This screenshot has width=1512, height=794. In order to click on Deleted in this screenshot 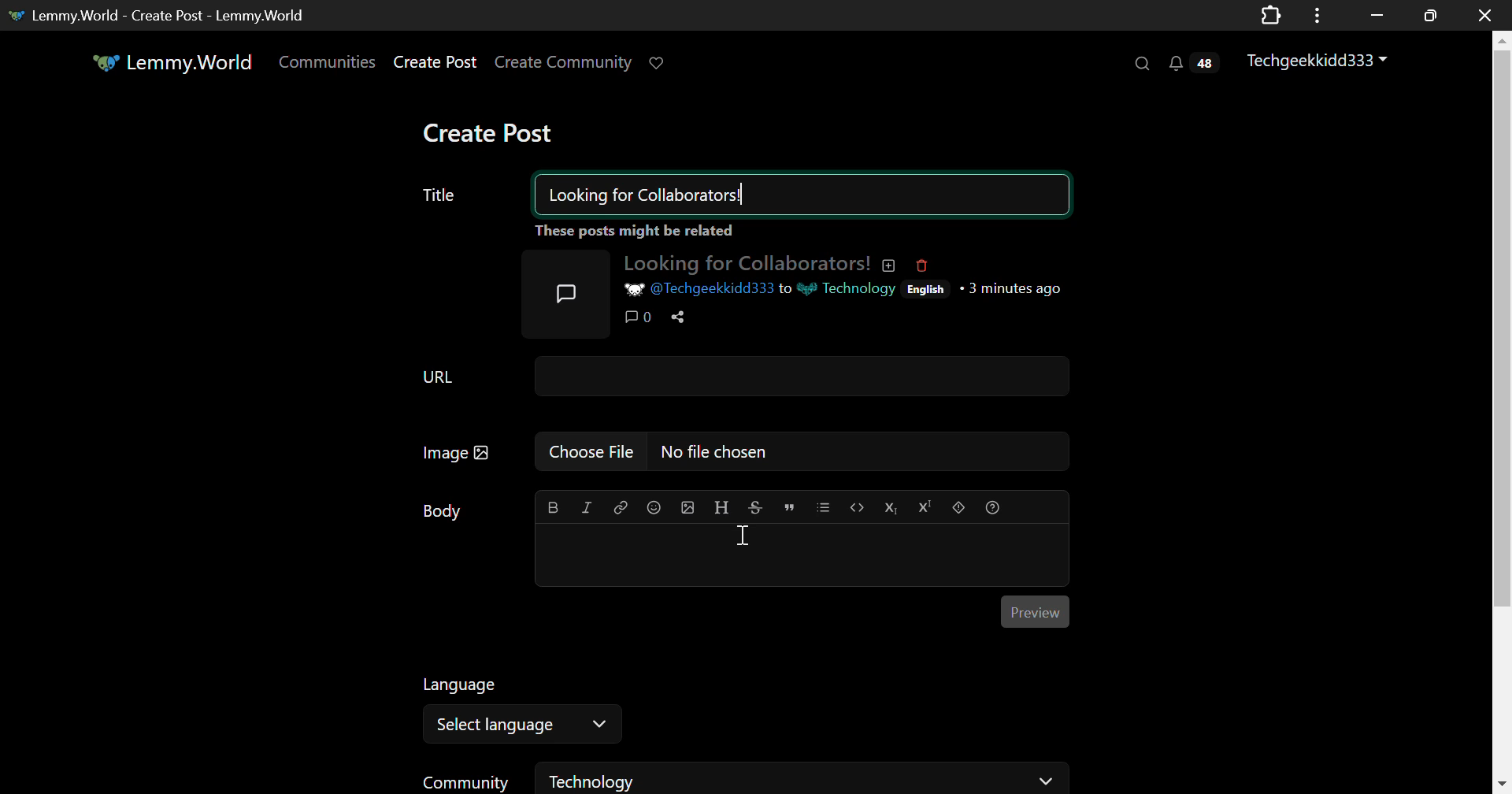, I will do `click(921, 265)`.